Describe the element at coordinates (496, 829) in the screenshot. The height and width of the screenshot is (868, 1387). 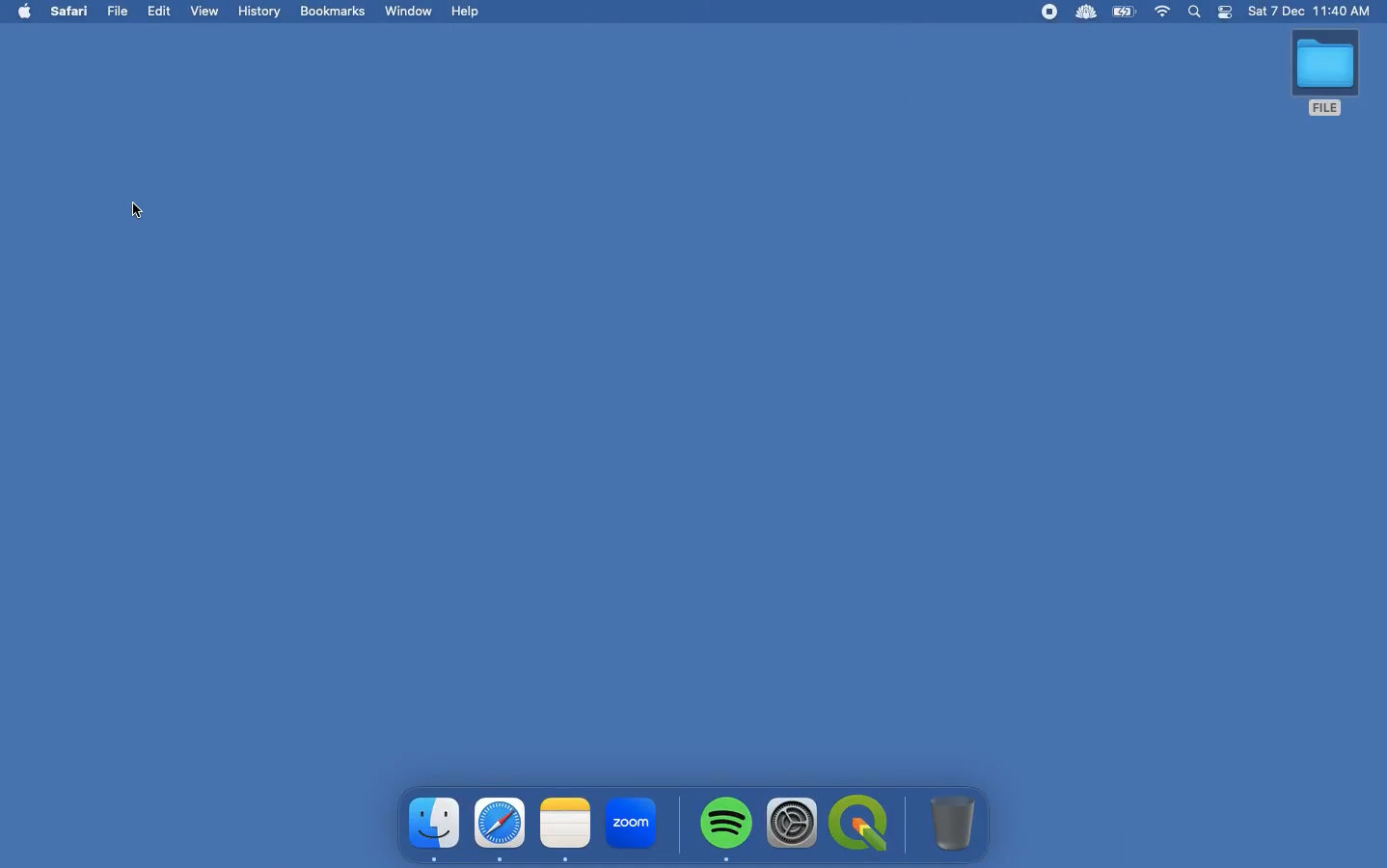
I see `safari` at that location.